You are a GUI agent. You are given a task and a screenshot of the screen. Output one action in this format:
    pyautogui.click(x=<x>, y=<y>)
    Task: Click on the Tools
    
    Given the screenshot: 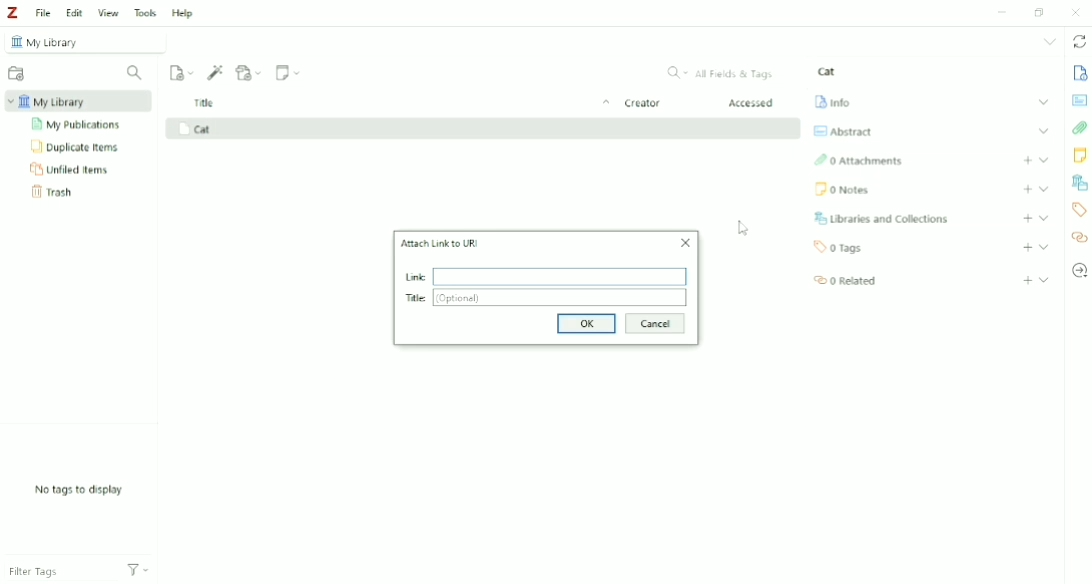 What is the action you would take?
    pyautogui.click(x=145, y=12)
    